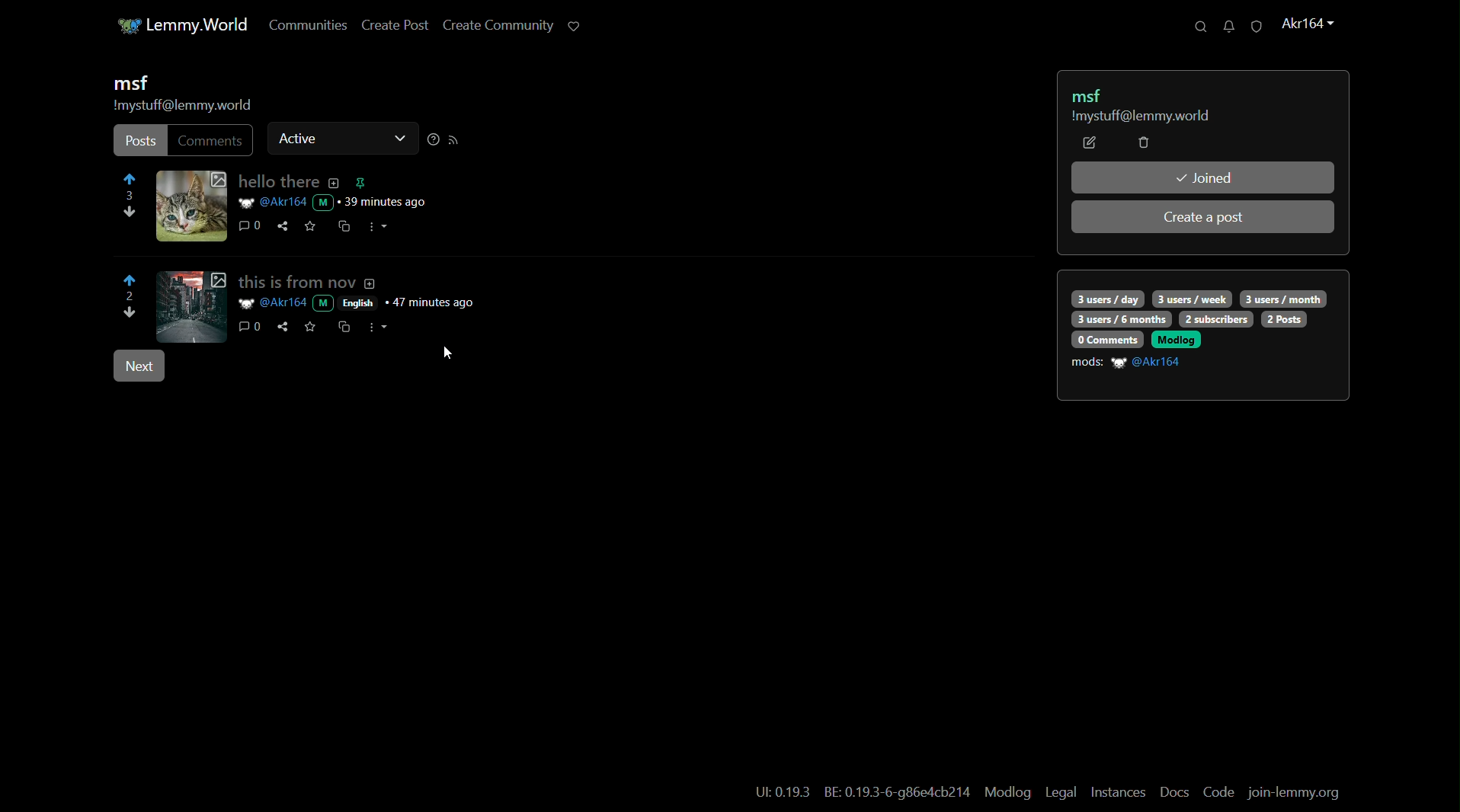 The image size is (1460, 812). I want to click on post details, so click(371, 303).